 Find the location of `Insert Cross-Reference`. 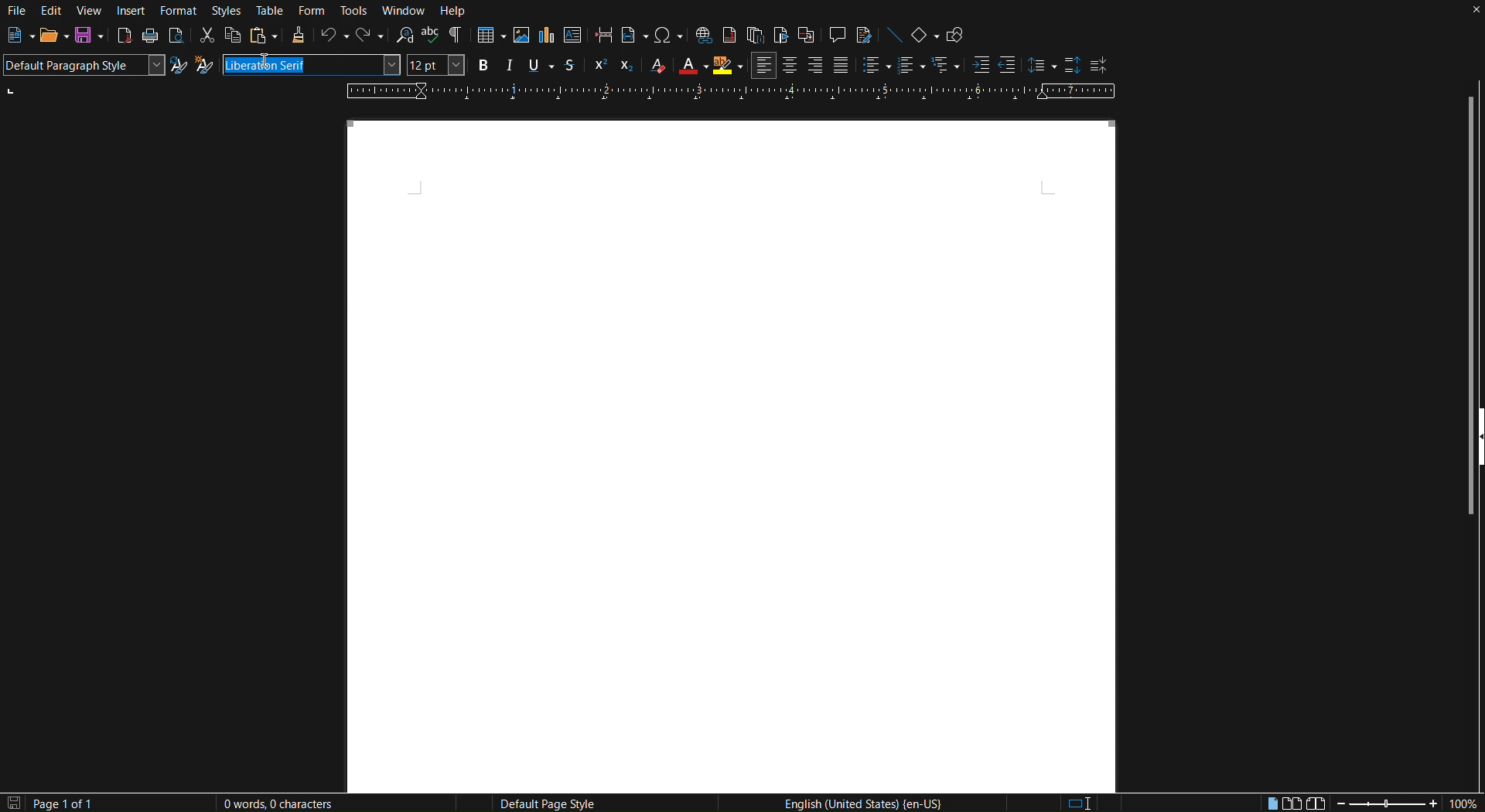

Insert Cross-Reference is located at coordinates (807, 37).